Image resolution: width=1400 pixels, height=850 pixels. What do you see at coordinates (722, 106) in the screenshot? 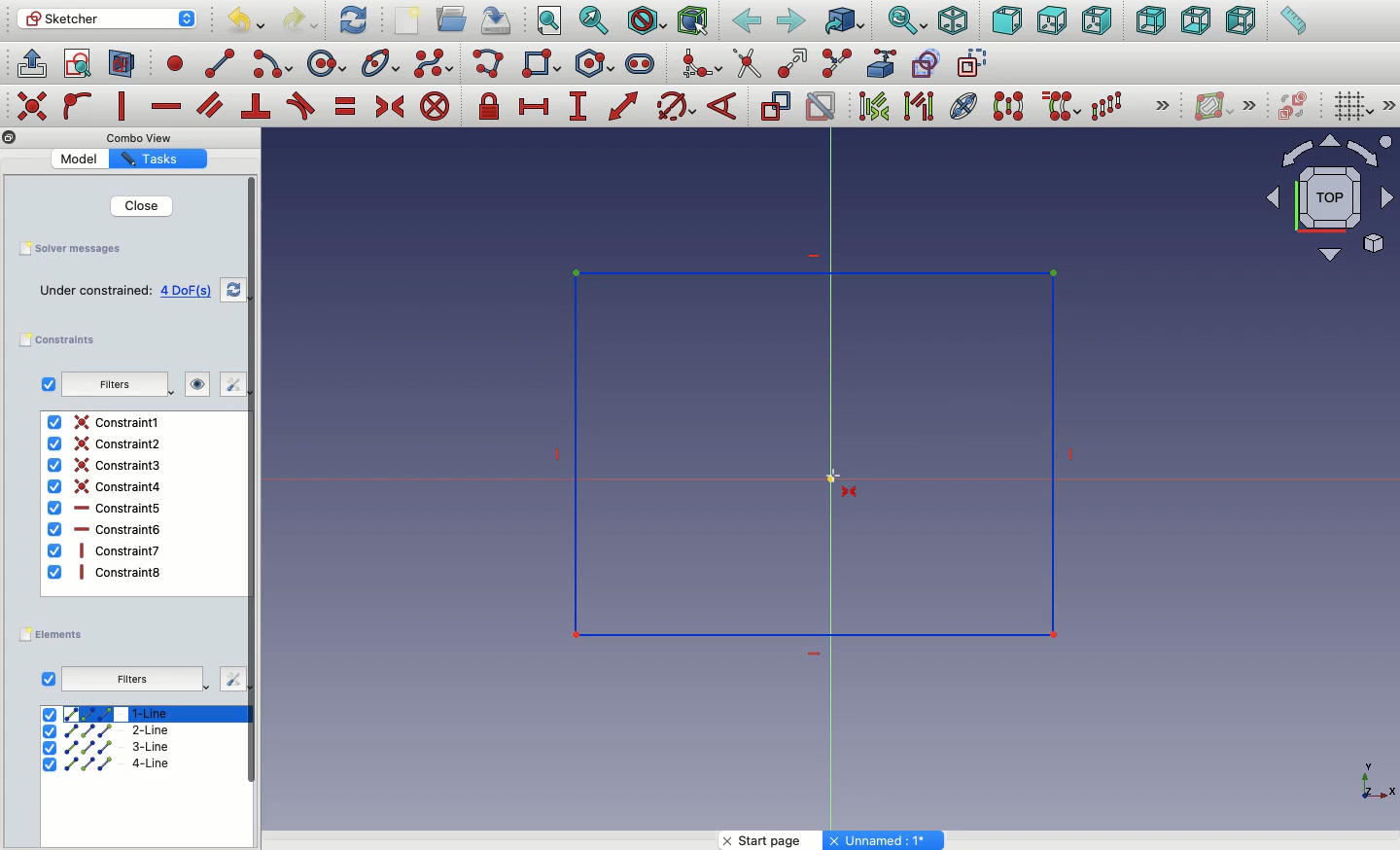
I see `Constrain angle` at bounding box center [722, 106].